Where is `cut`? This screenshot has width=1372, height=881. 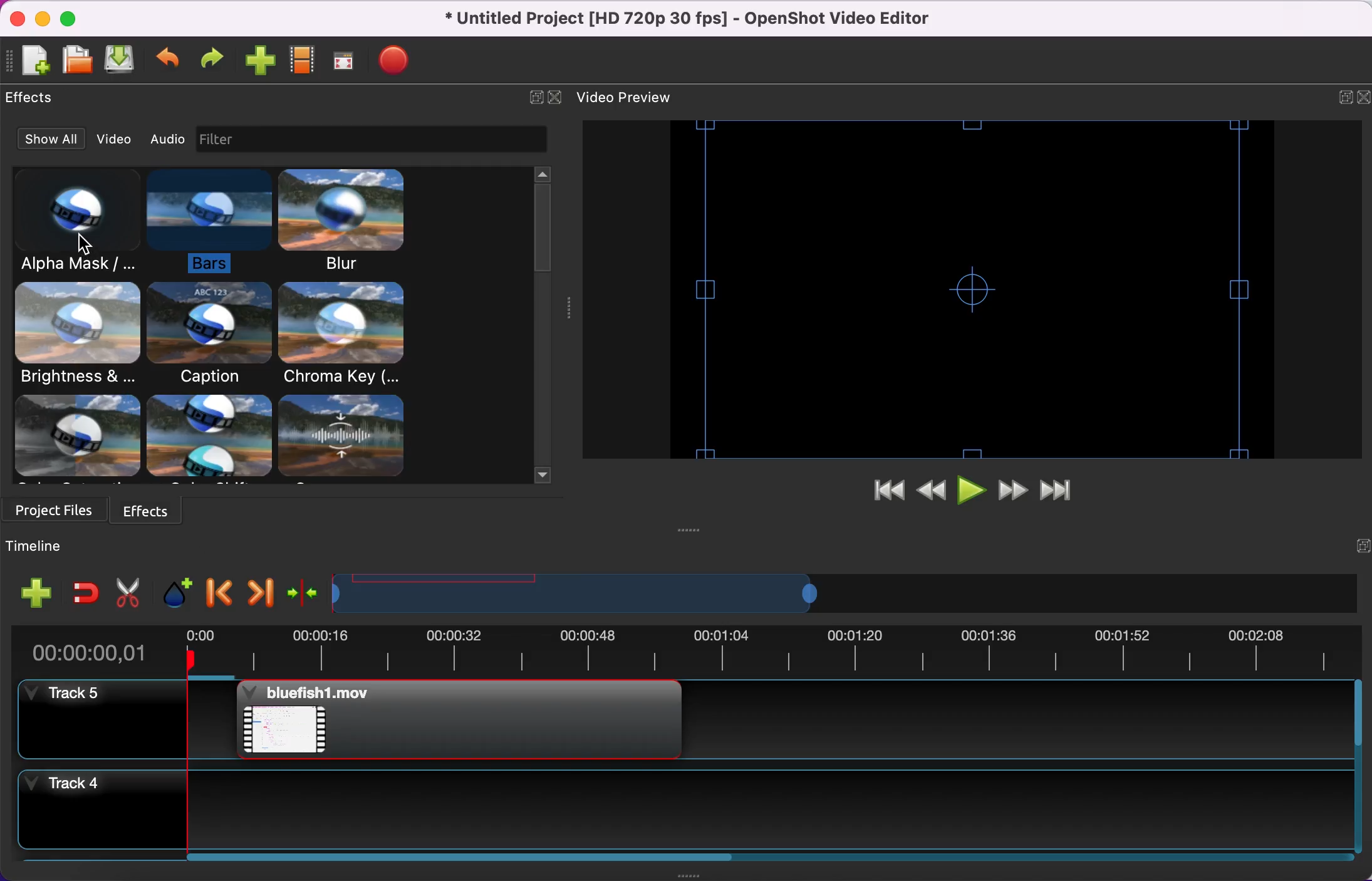
cut is located at coordinates (127, 591).